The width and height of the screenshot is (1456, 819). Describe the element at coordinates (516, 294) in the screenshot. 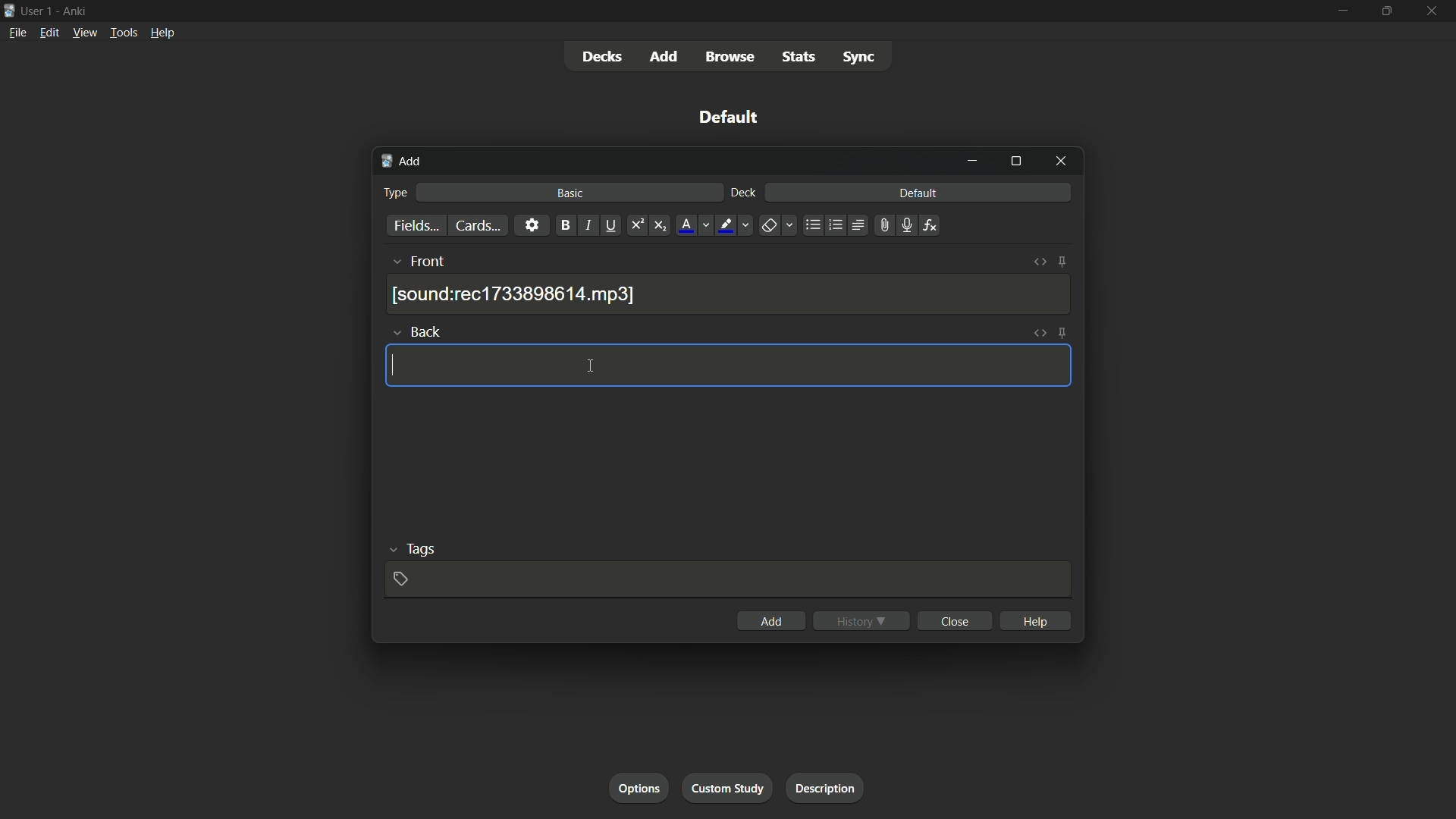

I see `recording saved` at that location.